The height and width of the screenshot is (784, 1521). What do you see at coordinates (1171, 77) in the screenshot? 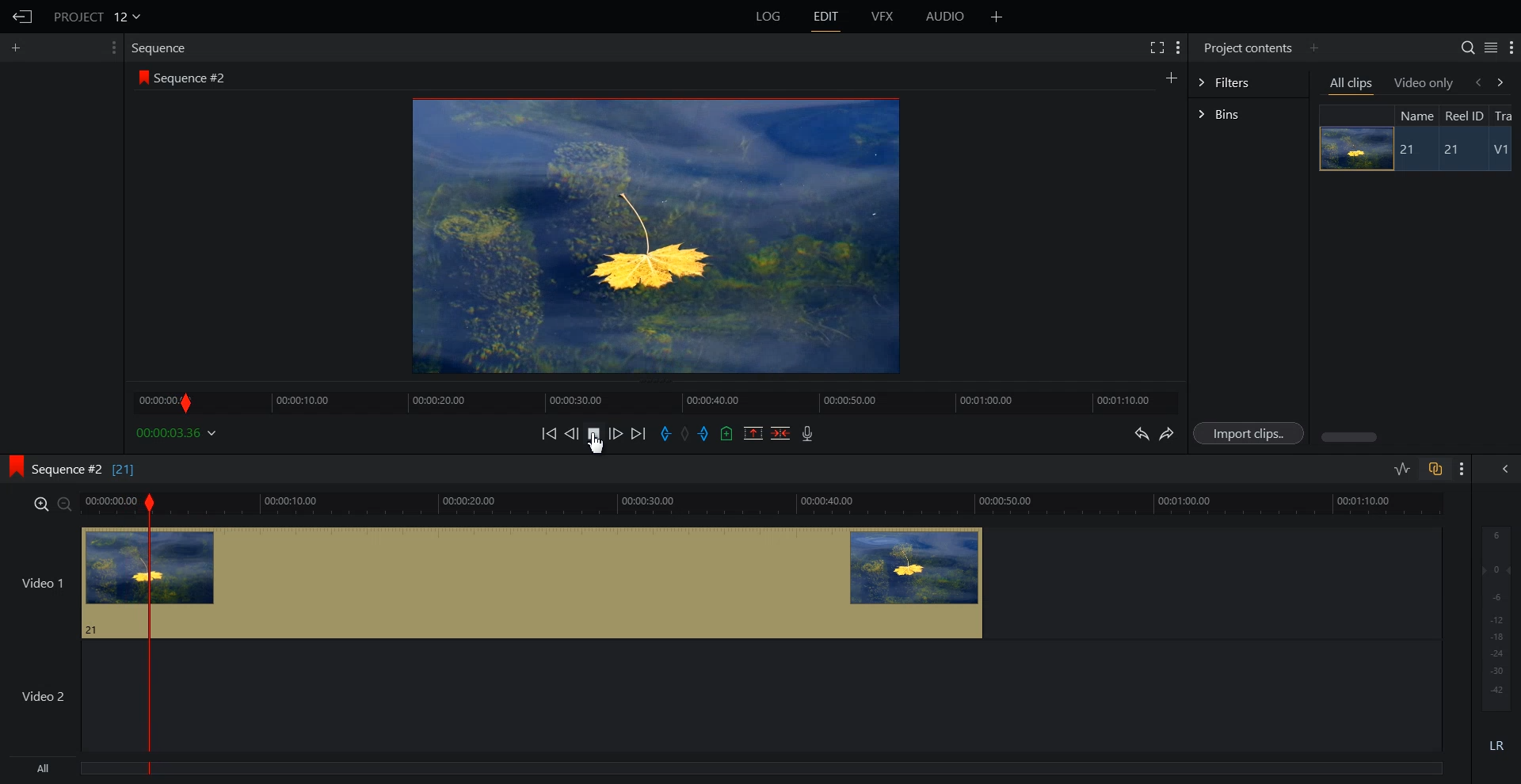
I see `Add panel` at bounding box center [1171, 77].